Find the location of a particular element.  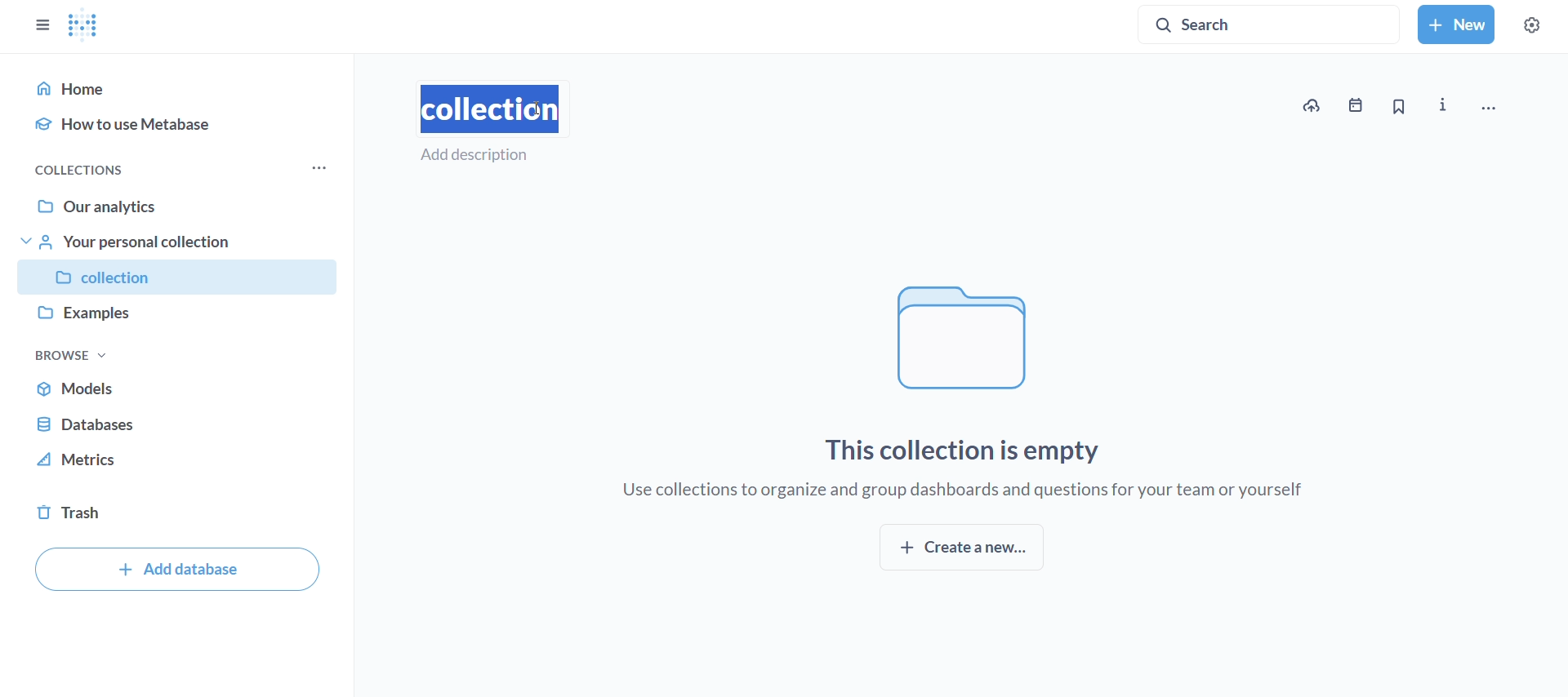

collection  is located at coordinates (179, 278).